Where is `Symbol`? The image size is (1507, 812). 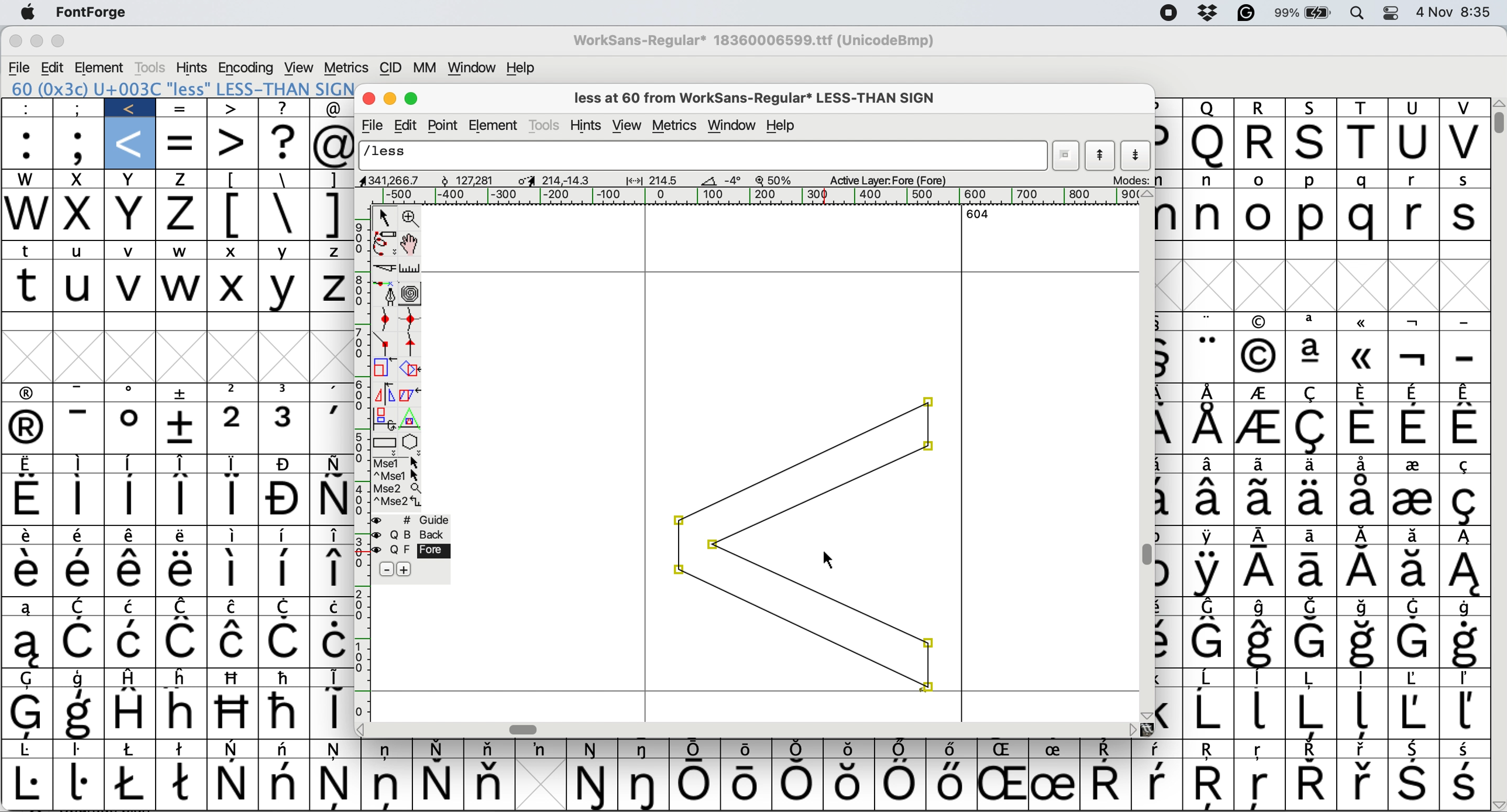 Symbol is located at coordinates (338, 750).